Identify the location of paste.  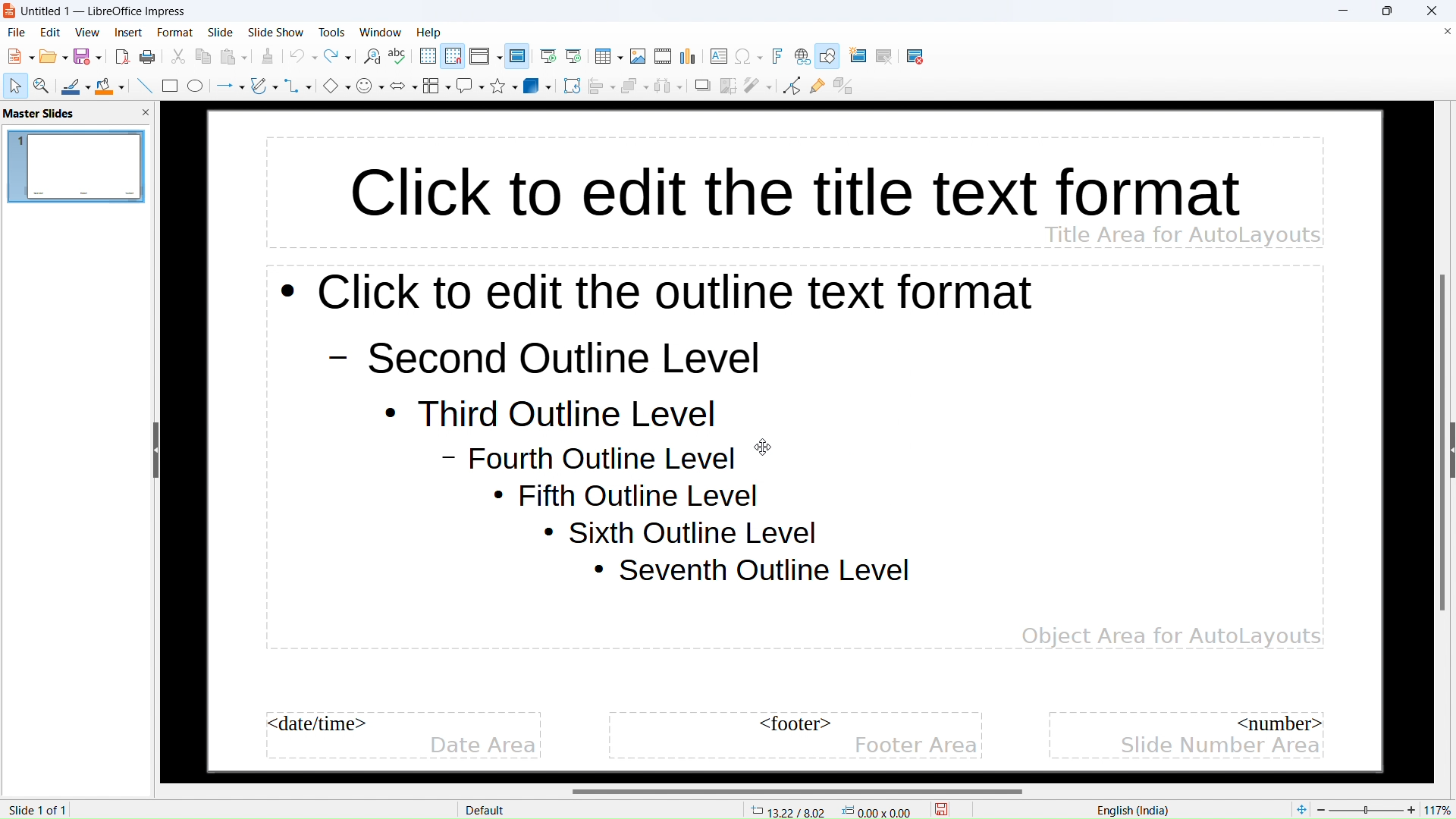
(233, 57).